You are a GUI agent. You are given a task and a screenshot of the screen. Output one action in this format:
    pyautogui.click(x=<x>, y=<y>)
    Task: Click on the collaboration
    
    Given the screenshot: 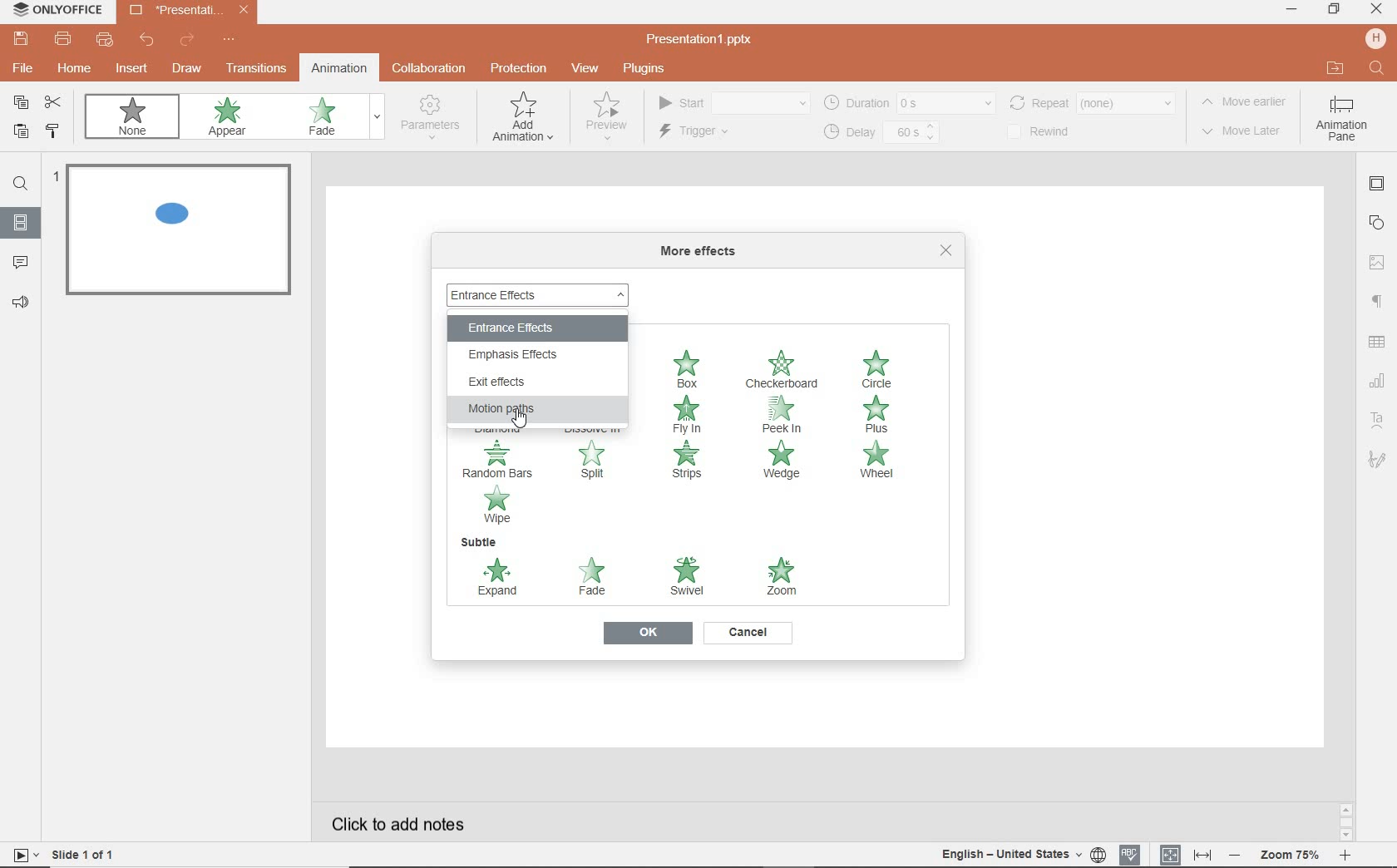 What is the action you would take?
    pyautogui.click(x=431, y=69)
    